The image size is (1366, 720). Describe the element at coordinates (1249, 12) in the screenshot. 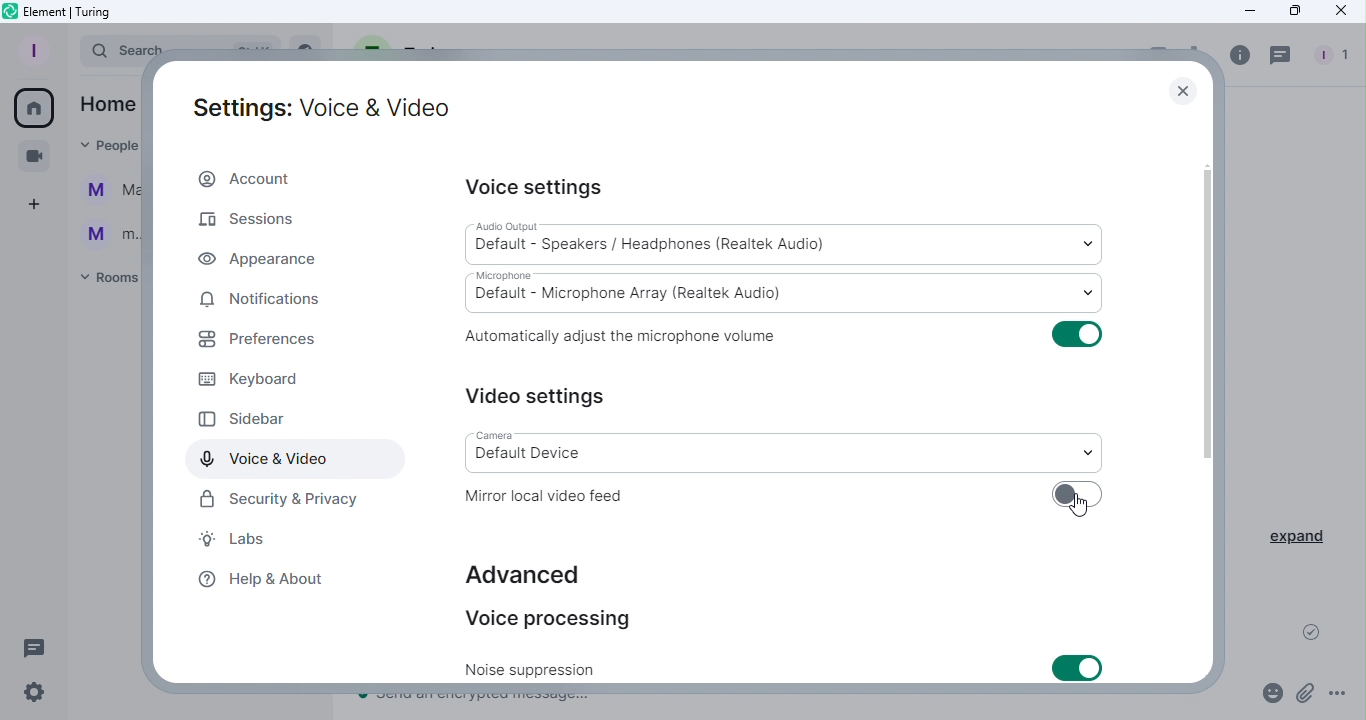

I see `Minimize` at that location.